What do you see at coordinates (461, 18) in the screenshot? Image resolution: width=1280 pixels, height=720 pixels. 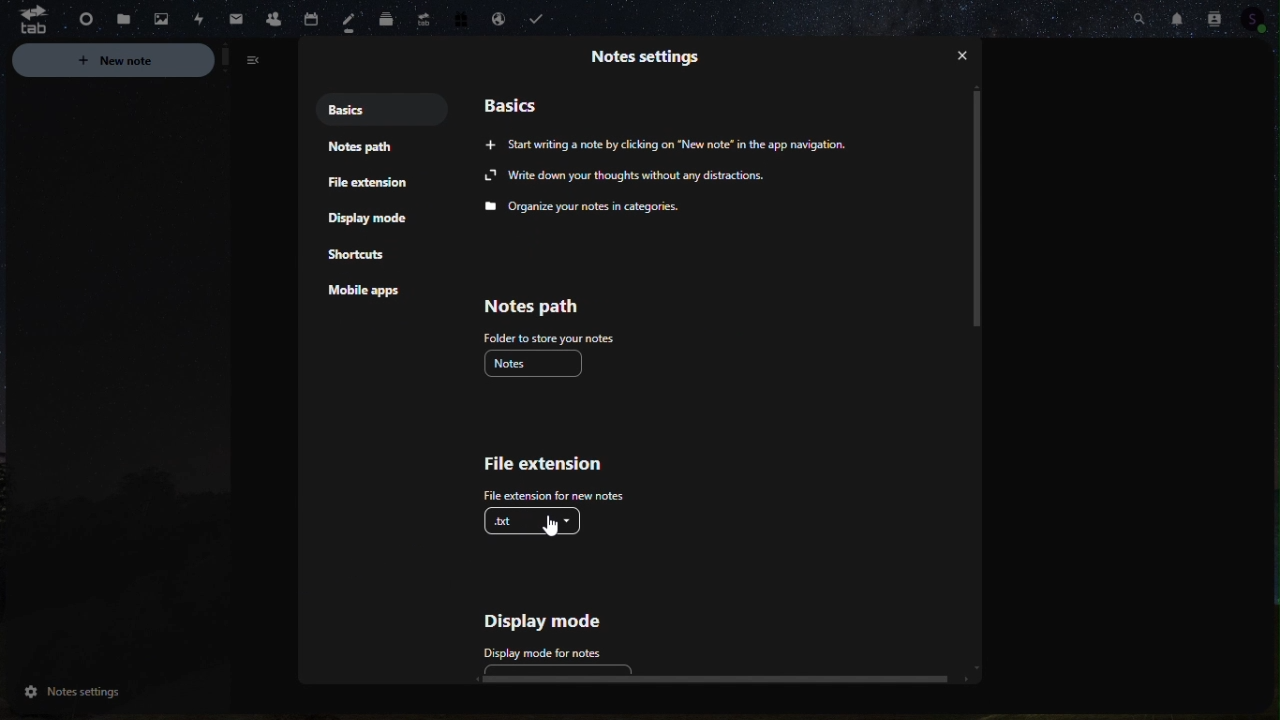 I see `free trial` at bounding box center [461, 18].